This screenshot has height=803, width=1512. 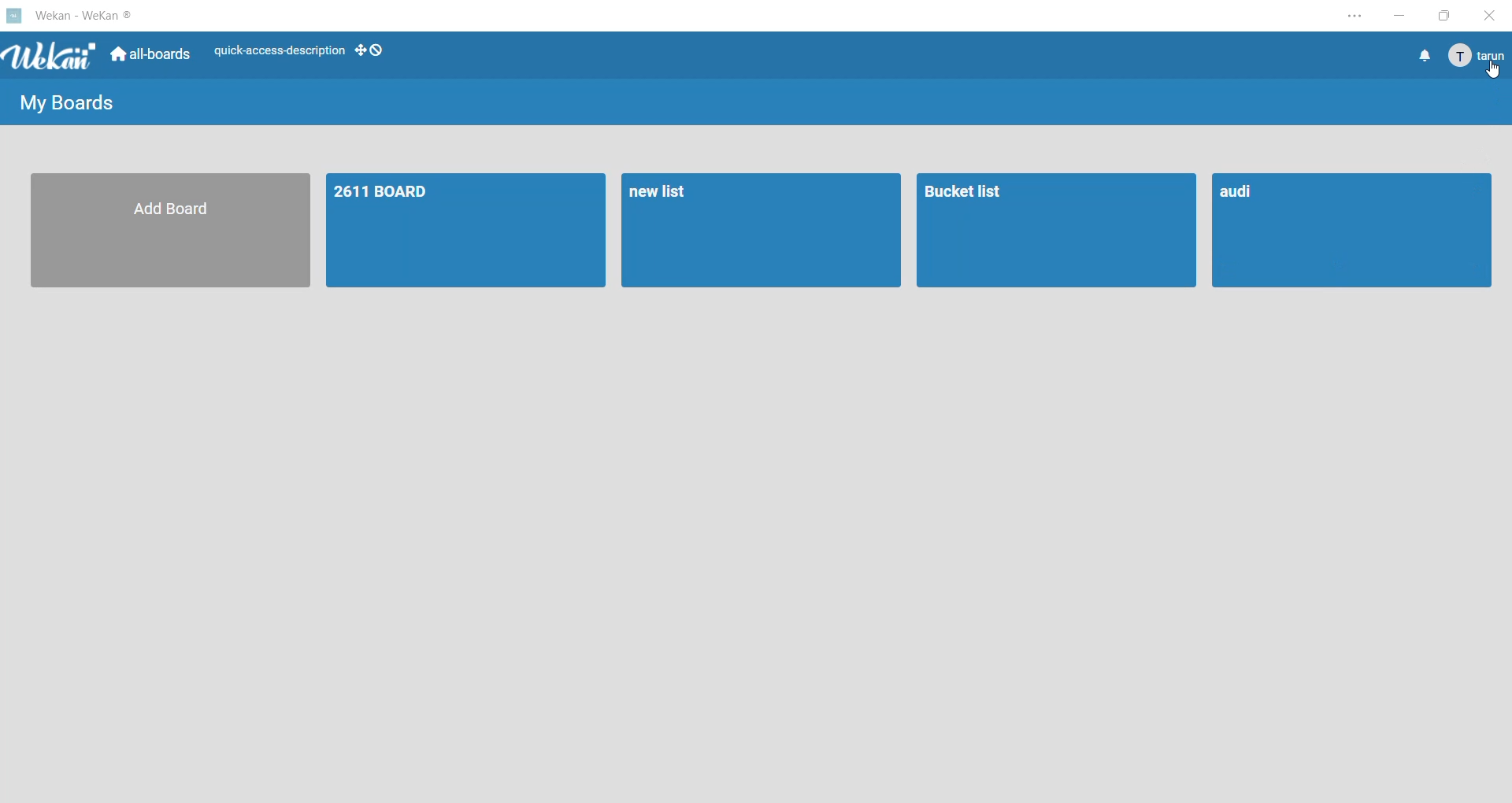 I want to click on all boards, so click(x=152, y=57).